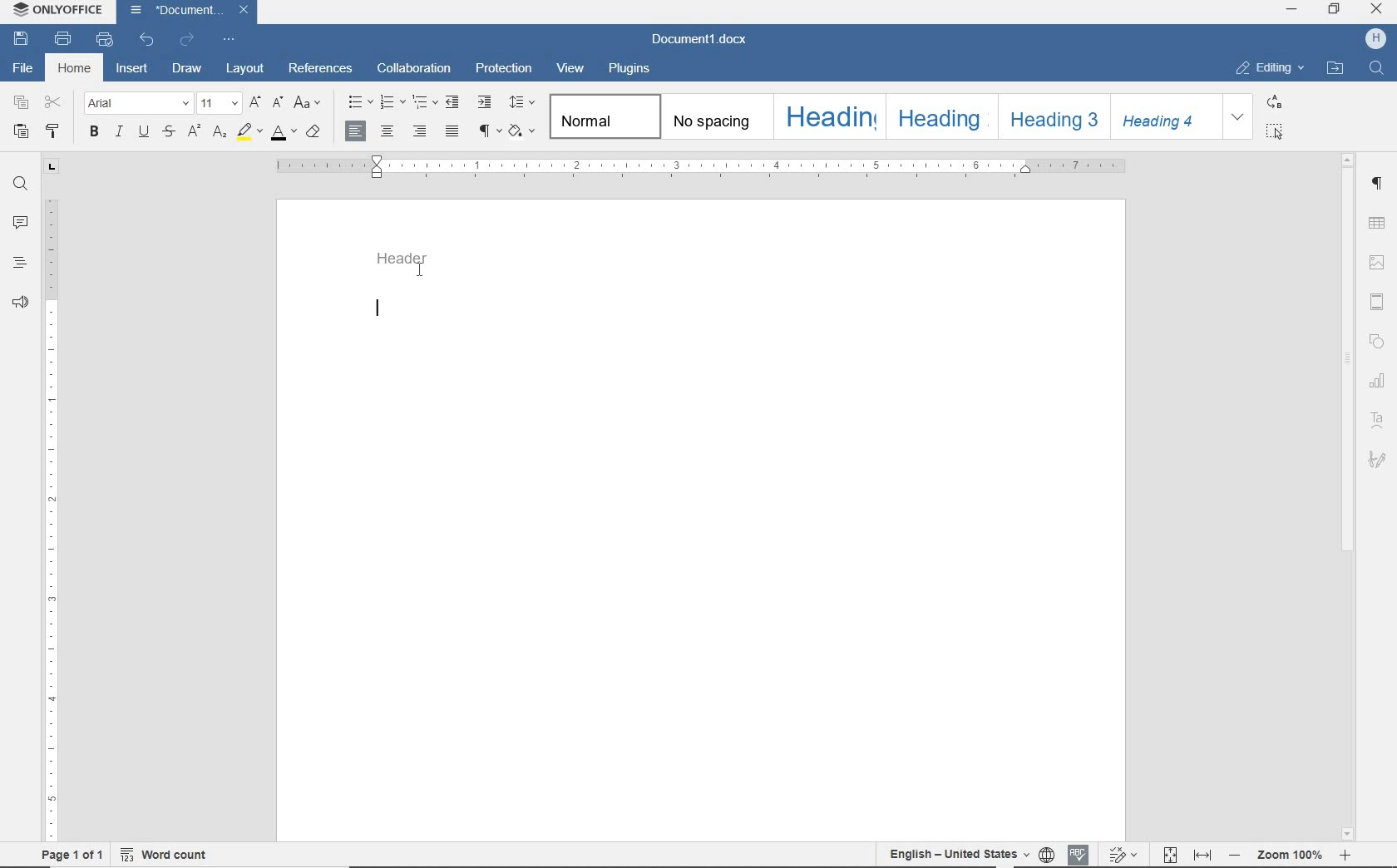  Describe the element at coordinates (118, 133) in the screenshot. I see `italic` at that location.